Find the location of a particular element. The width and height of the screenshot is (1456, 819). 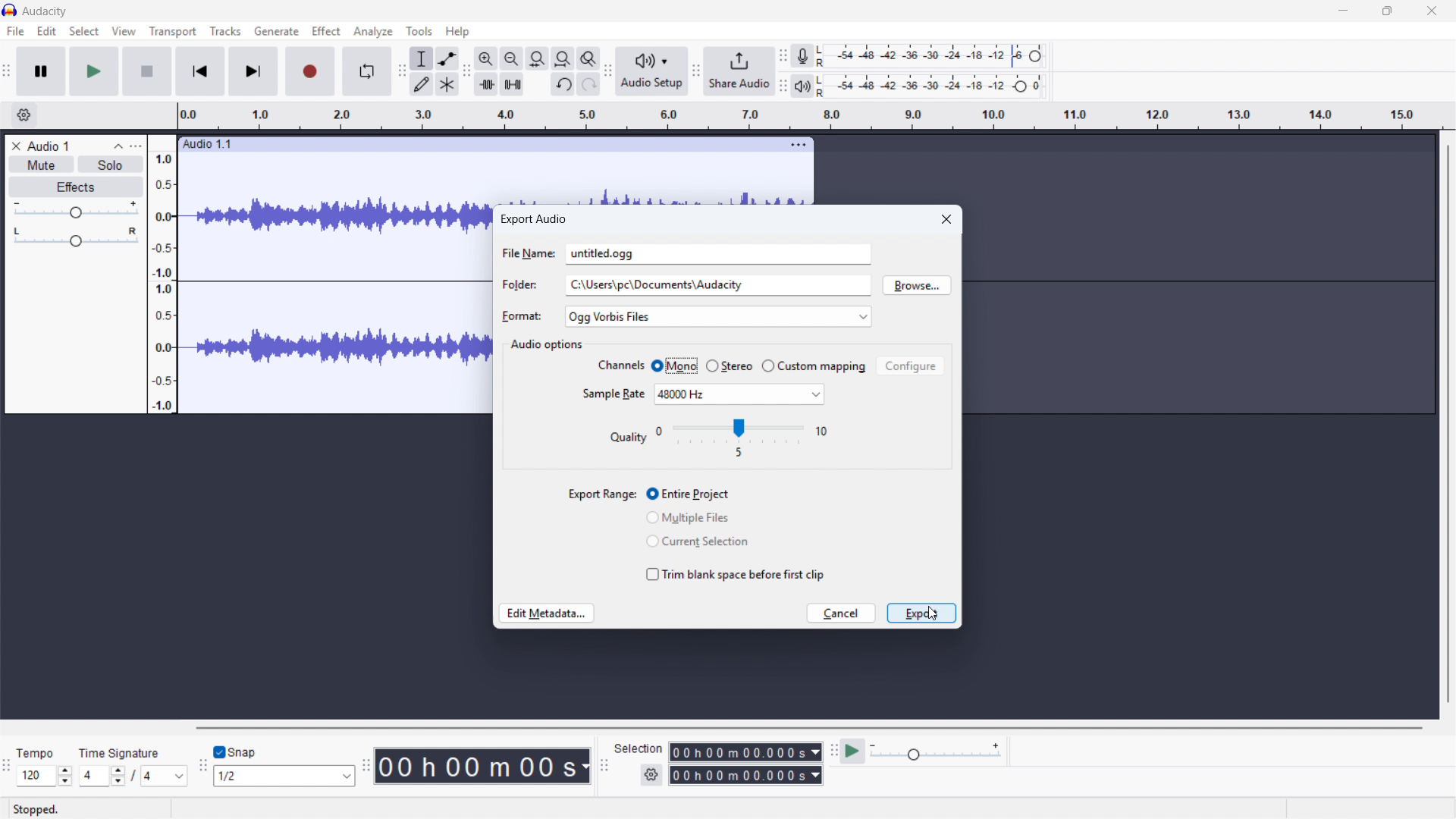

File name  is located at coordinates (719, 253).